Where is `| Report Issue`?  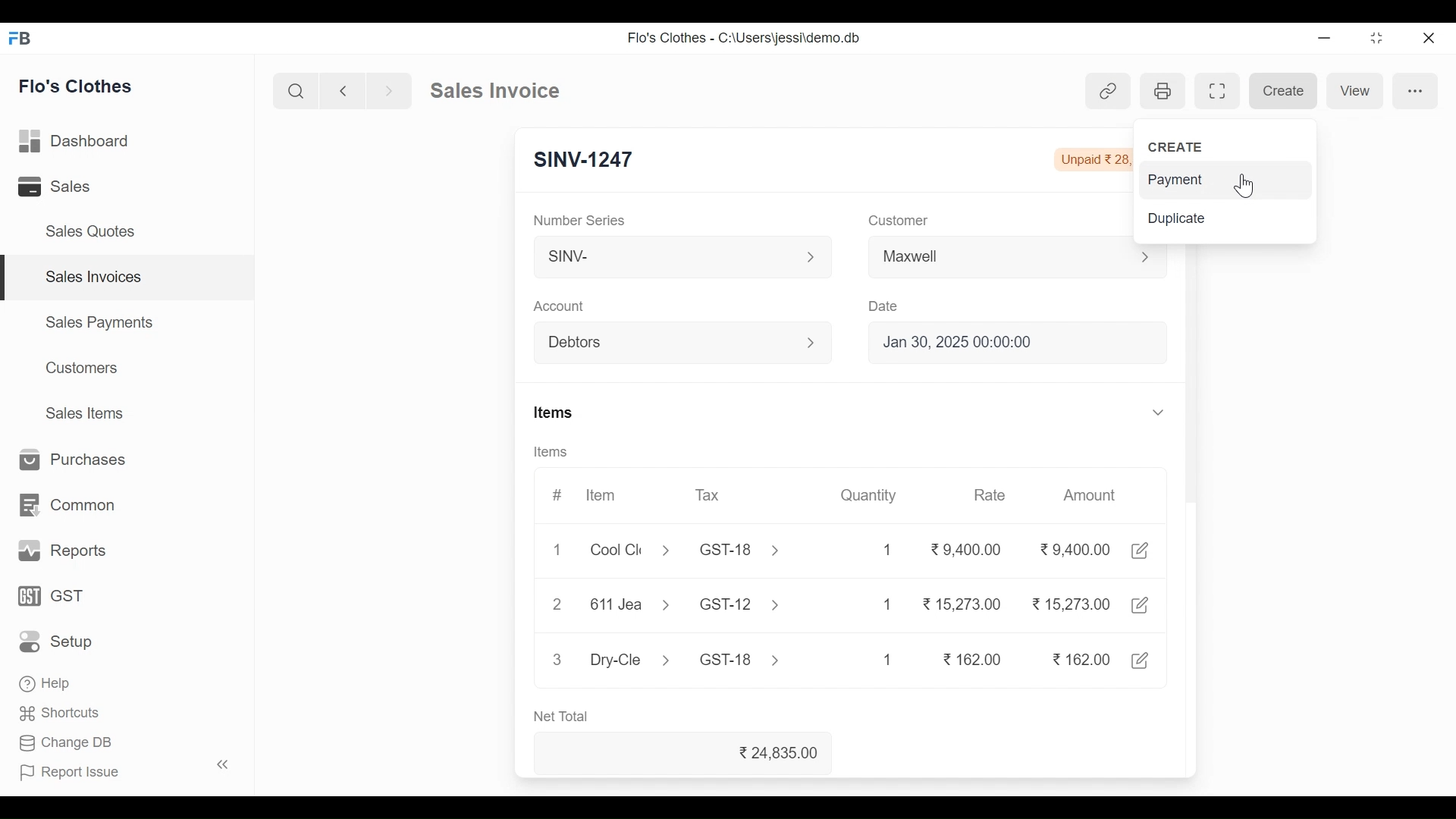 | Report Issue is located at coordinates (126, 770).